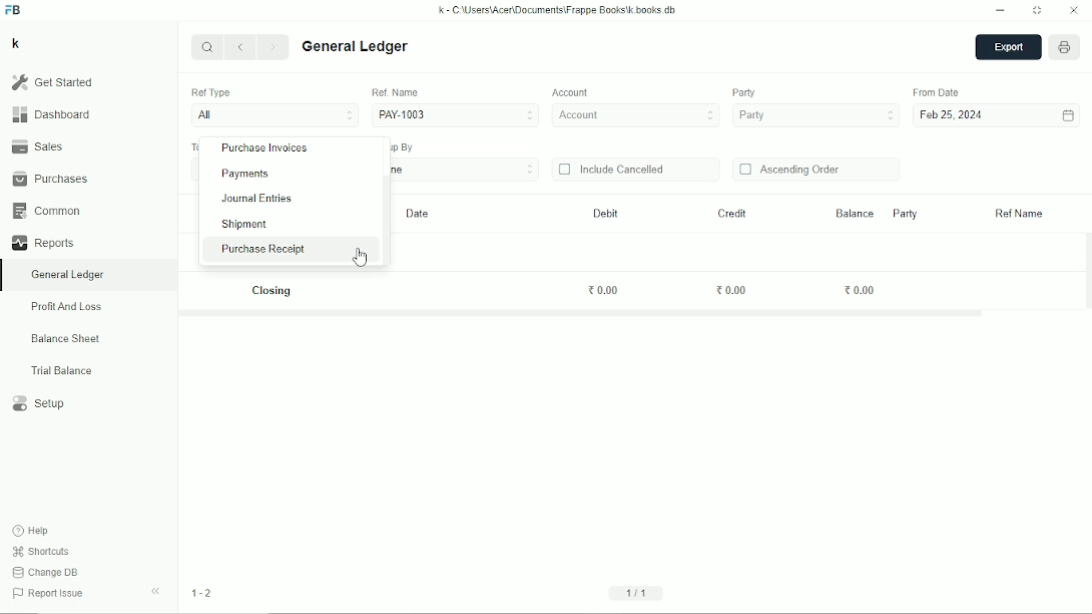 This screenshot has height=614, width=1092. Describe the element at coordinates (37, 145) in the screenshot. I see `Sales` at that location.